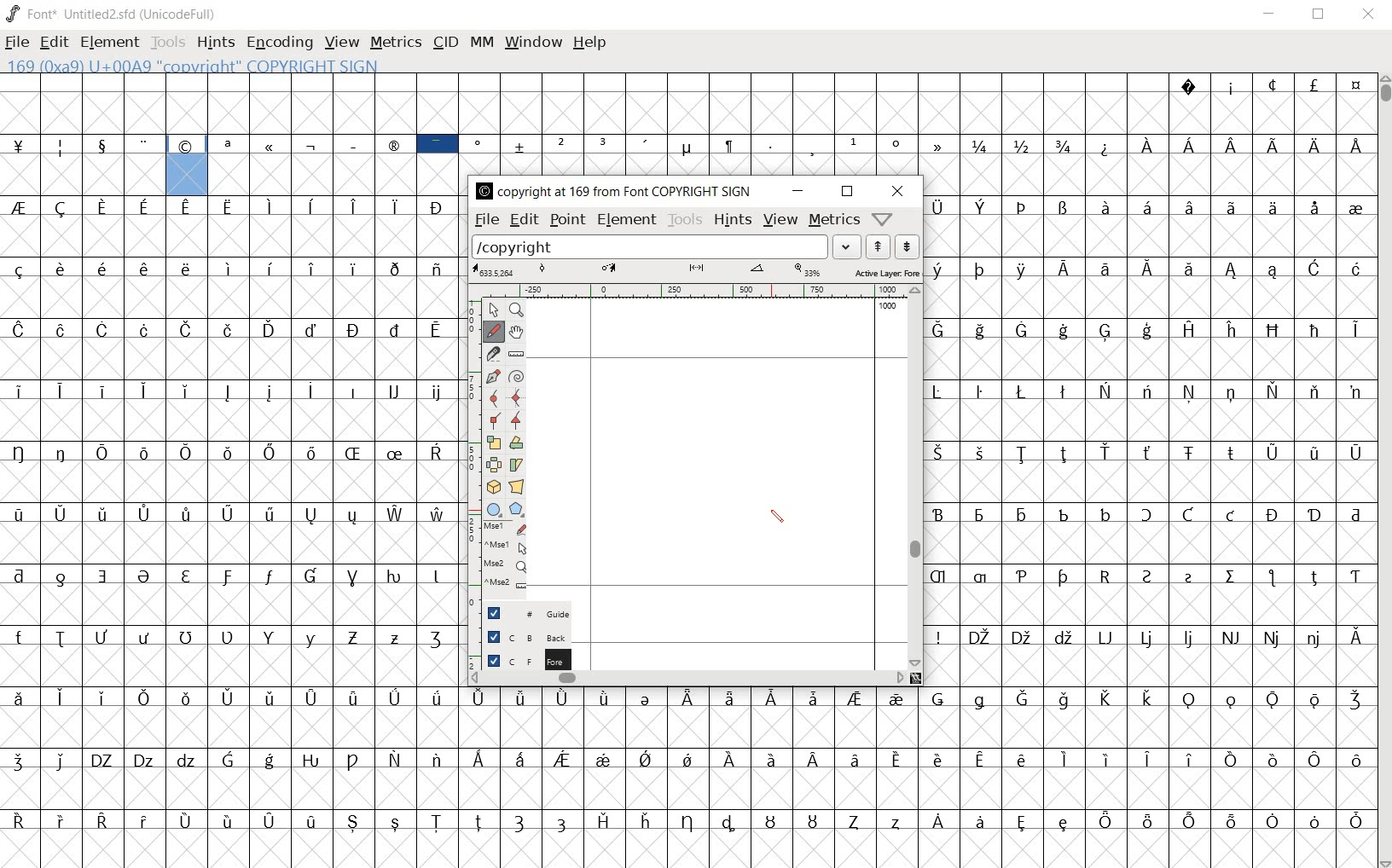 The image size is (1392, 868). Describe the element at coordinates (502, 558) in the screenshot. I see `mse1 mse1 mse2 mse2` at that location.